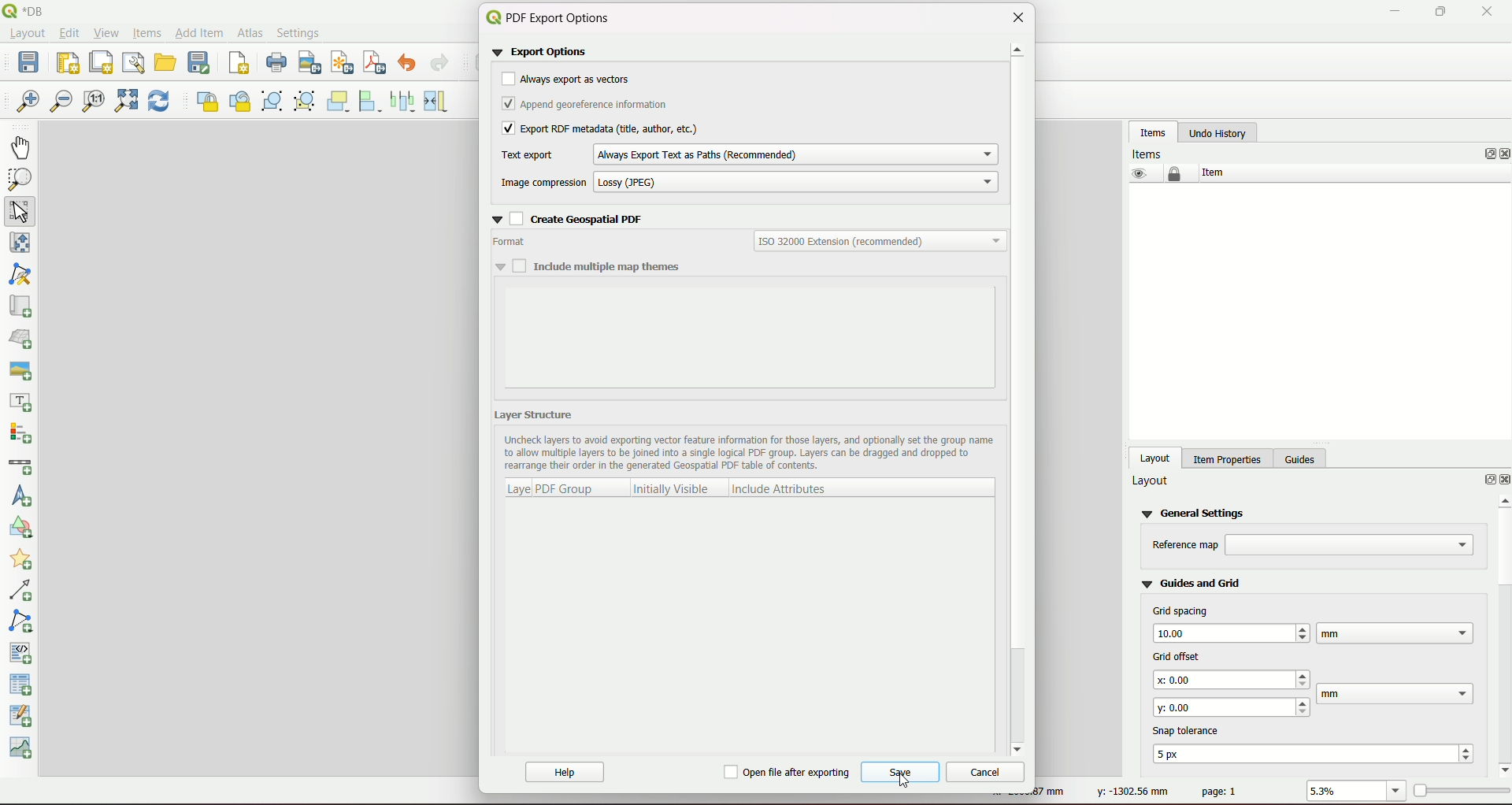 The image size is (1512, 805). Describe the element at coordinates (30, 11) in the screenshot. I see `Name and logo` at that location.